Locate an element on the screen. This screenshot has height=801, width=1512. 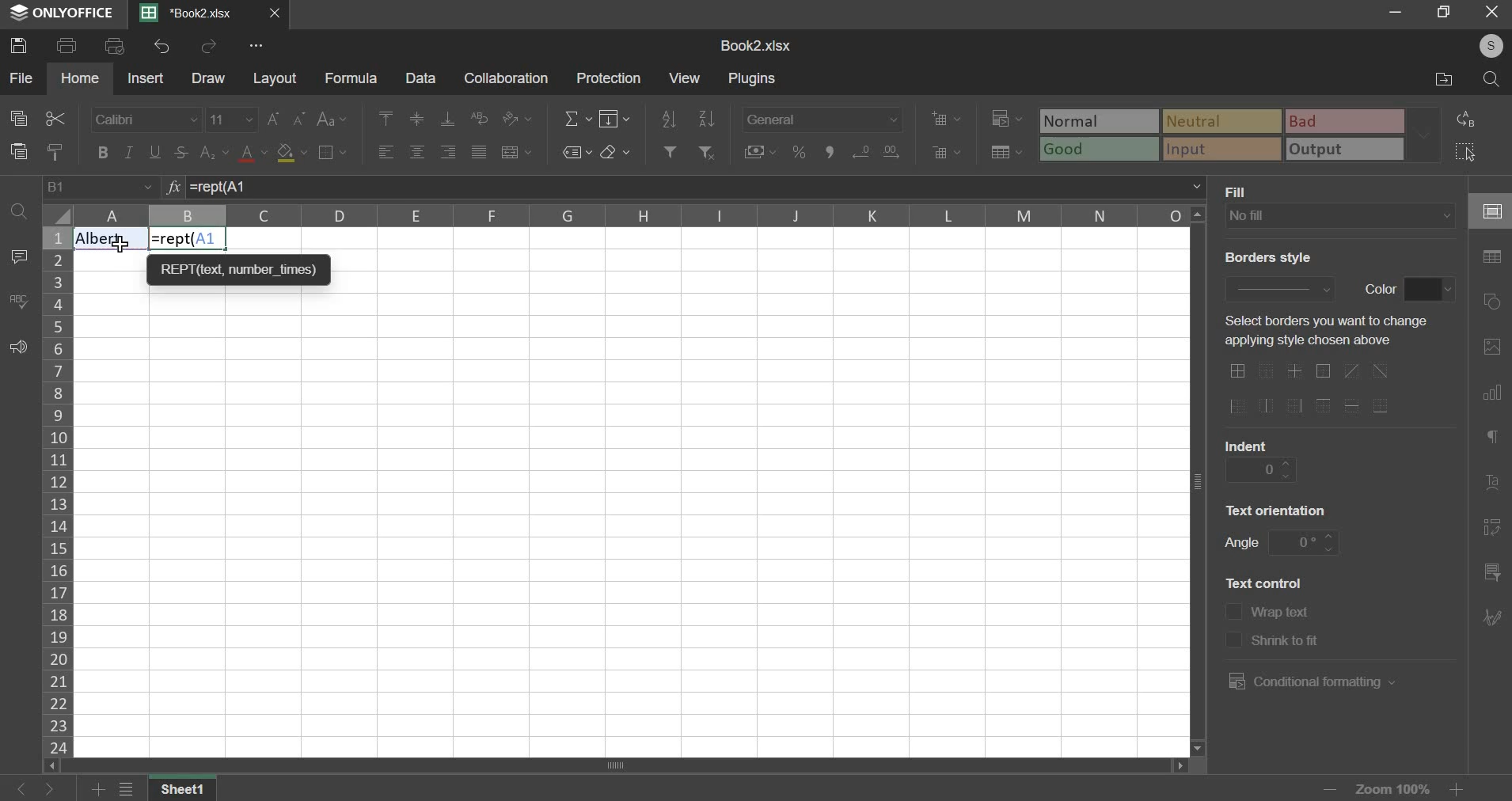
text is located at coordinates (1239, 542).